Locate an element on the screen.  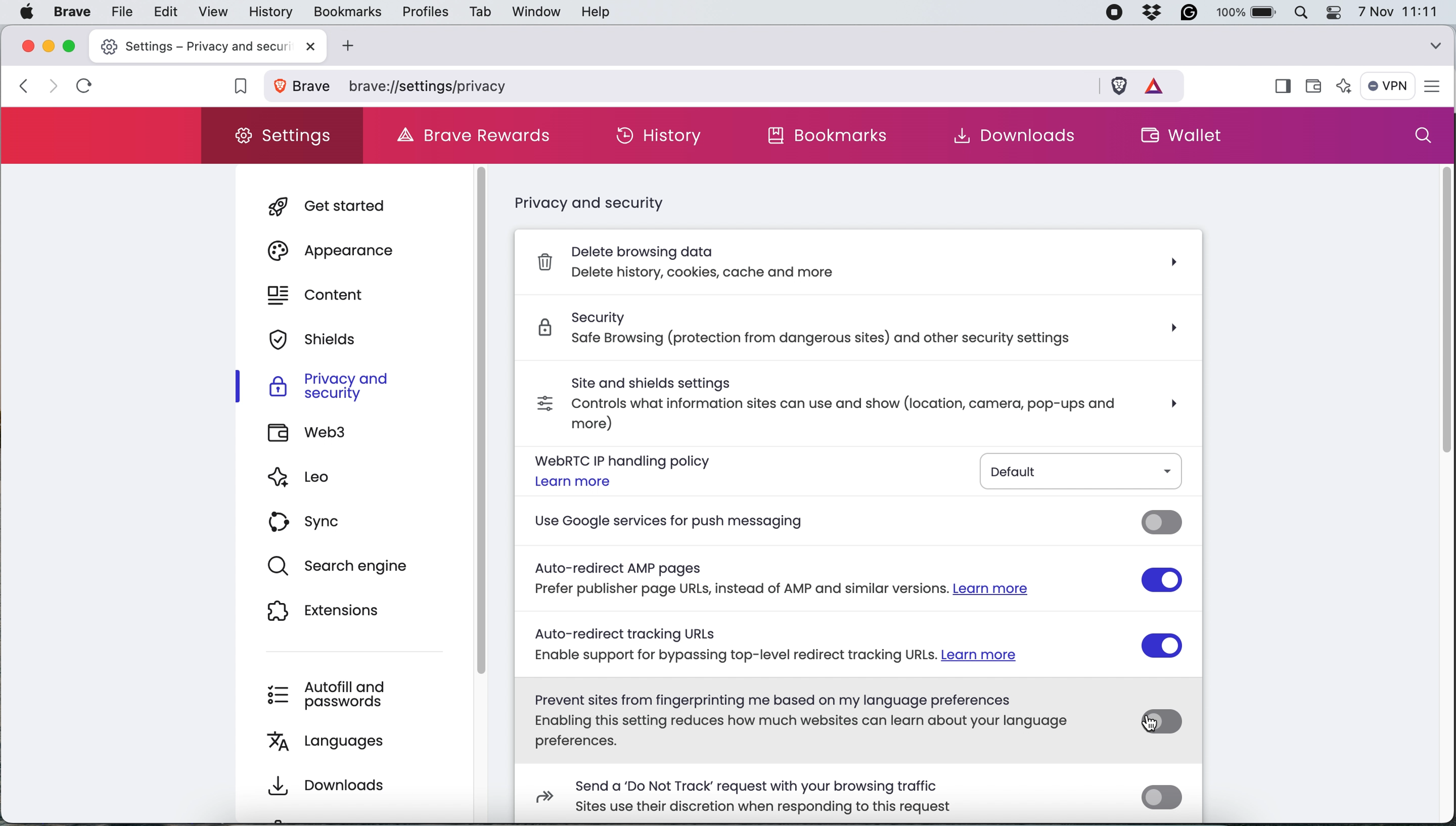
cursor is located at coordinates (1148, 725).